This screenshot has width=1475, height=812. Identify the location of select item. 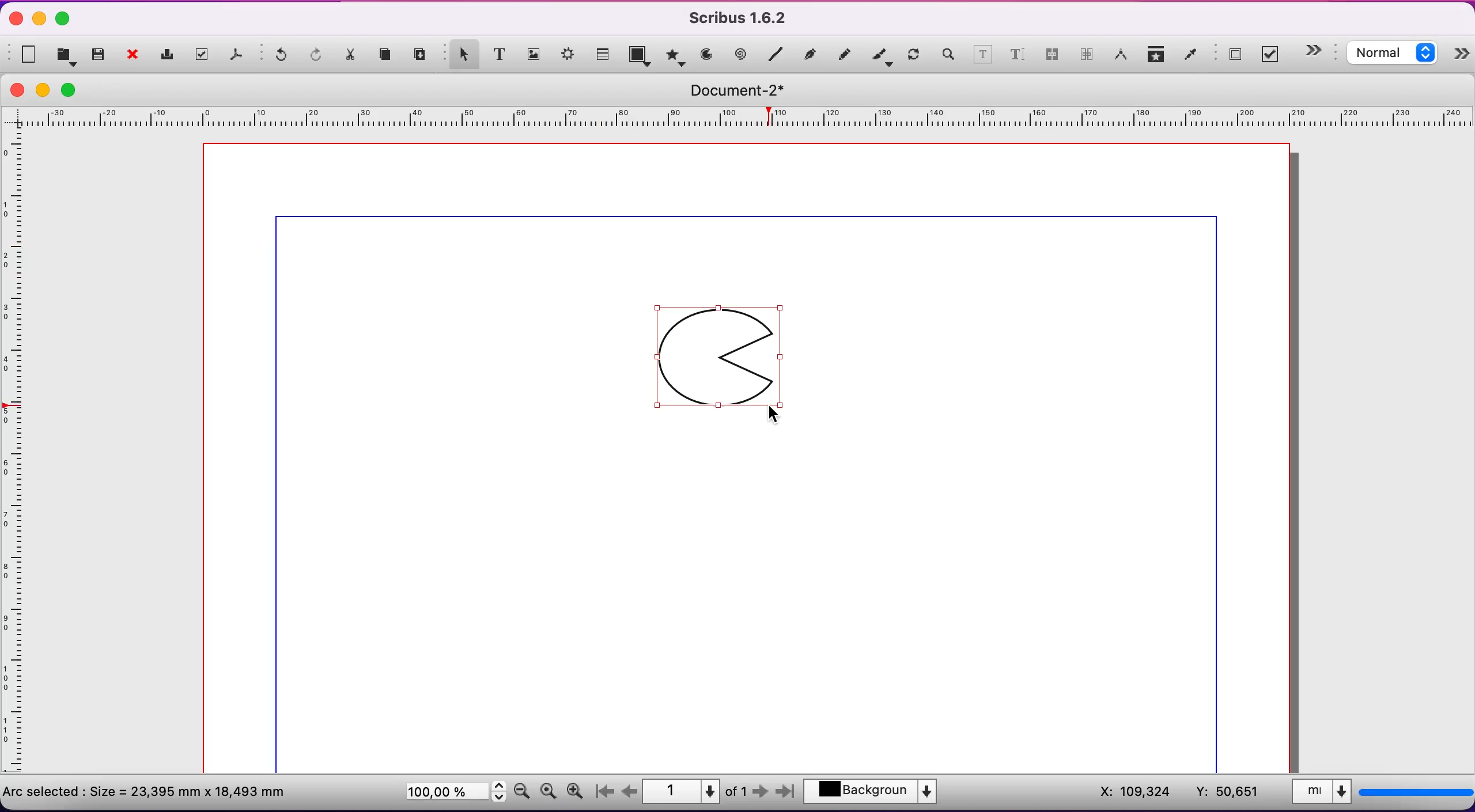
(461, 53).